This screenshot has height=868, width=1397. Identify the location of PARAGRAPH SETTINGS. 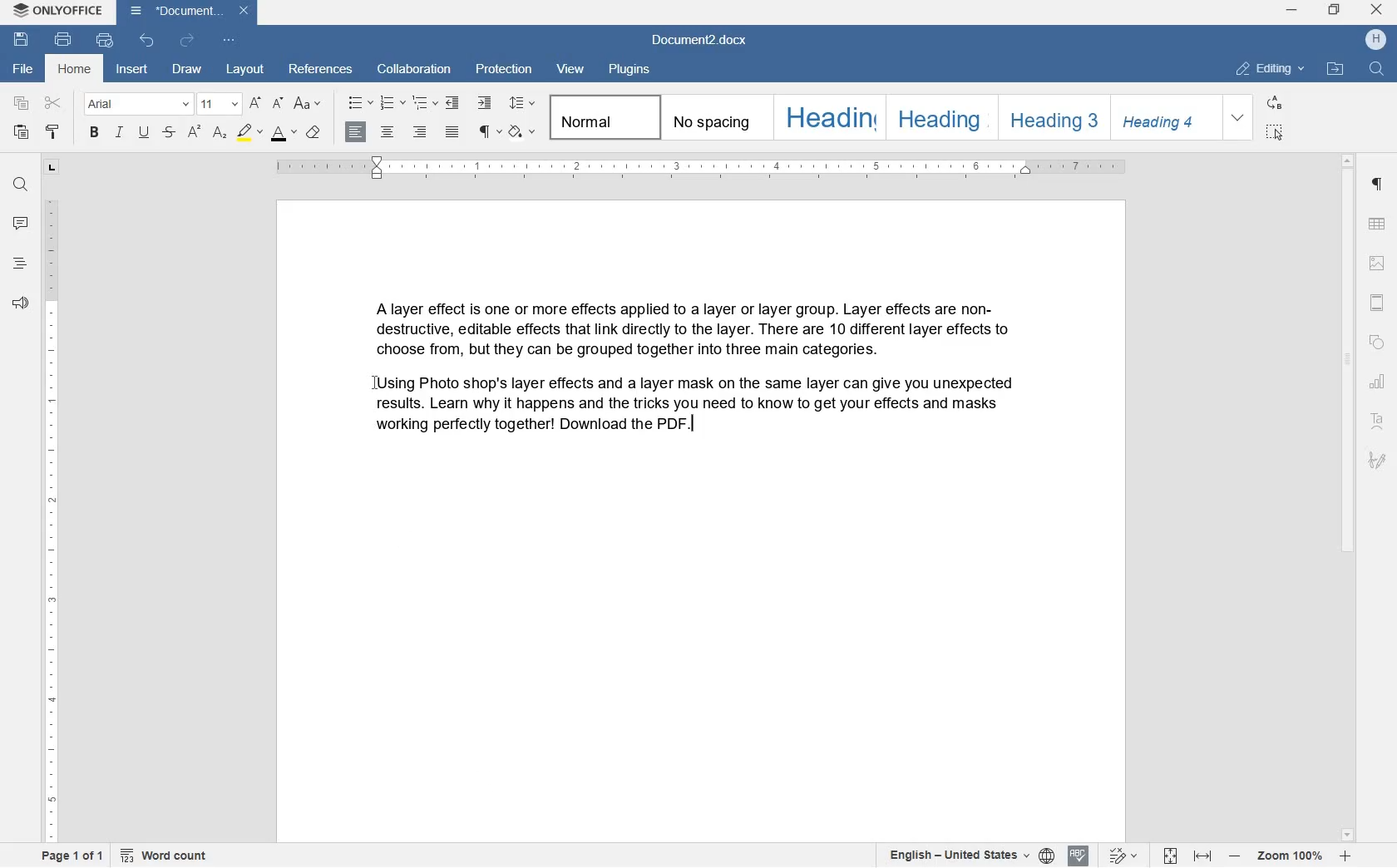
(1380, 186).